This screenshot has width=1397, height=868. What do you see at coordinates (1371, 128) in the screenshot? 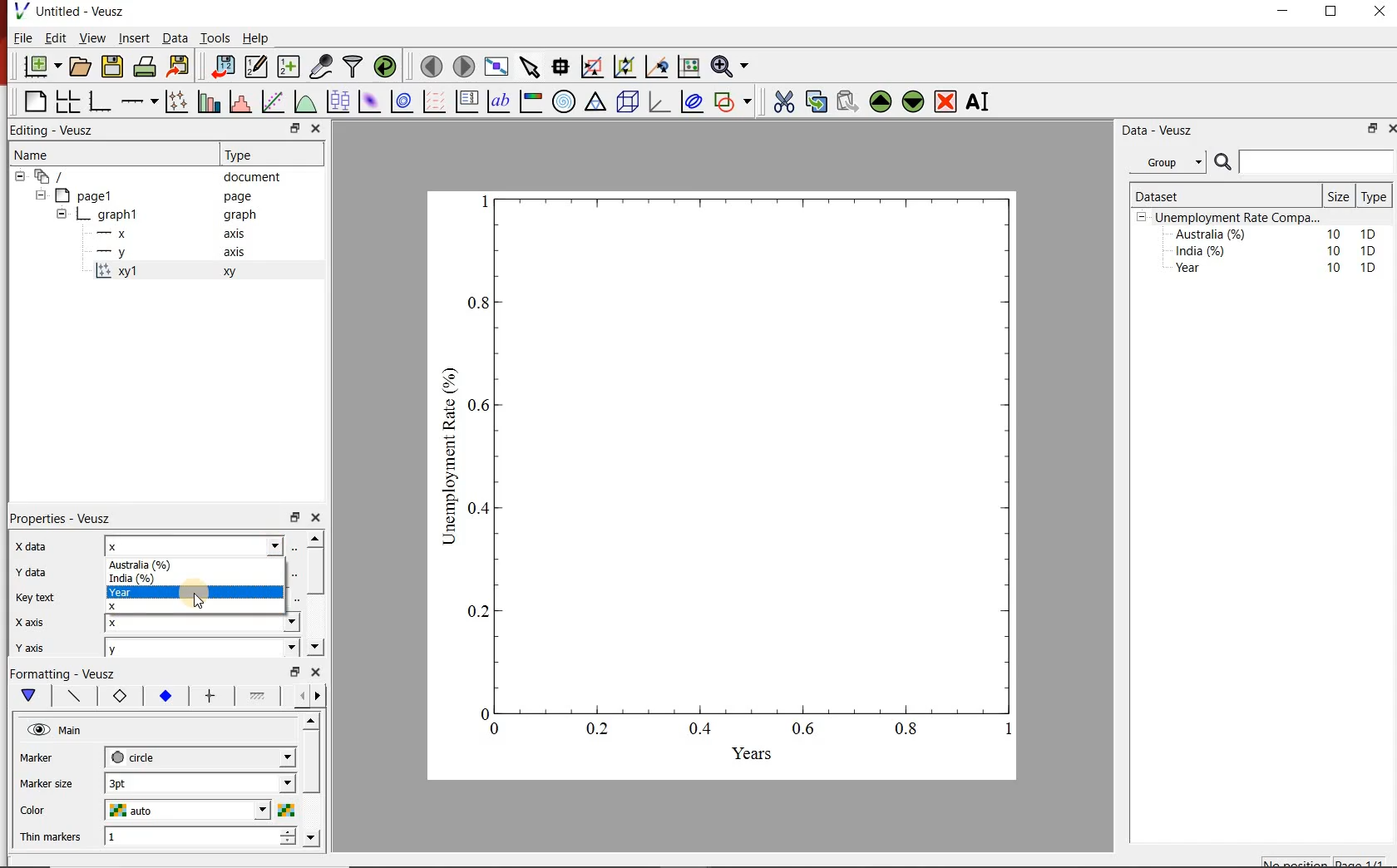
I see `minimise` at bounding box center [1371, 128].